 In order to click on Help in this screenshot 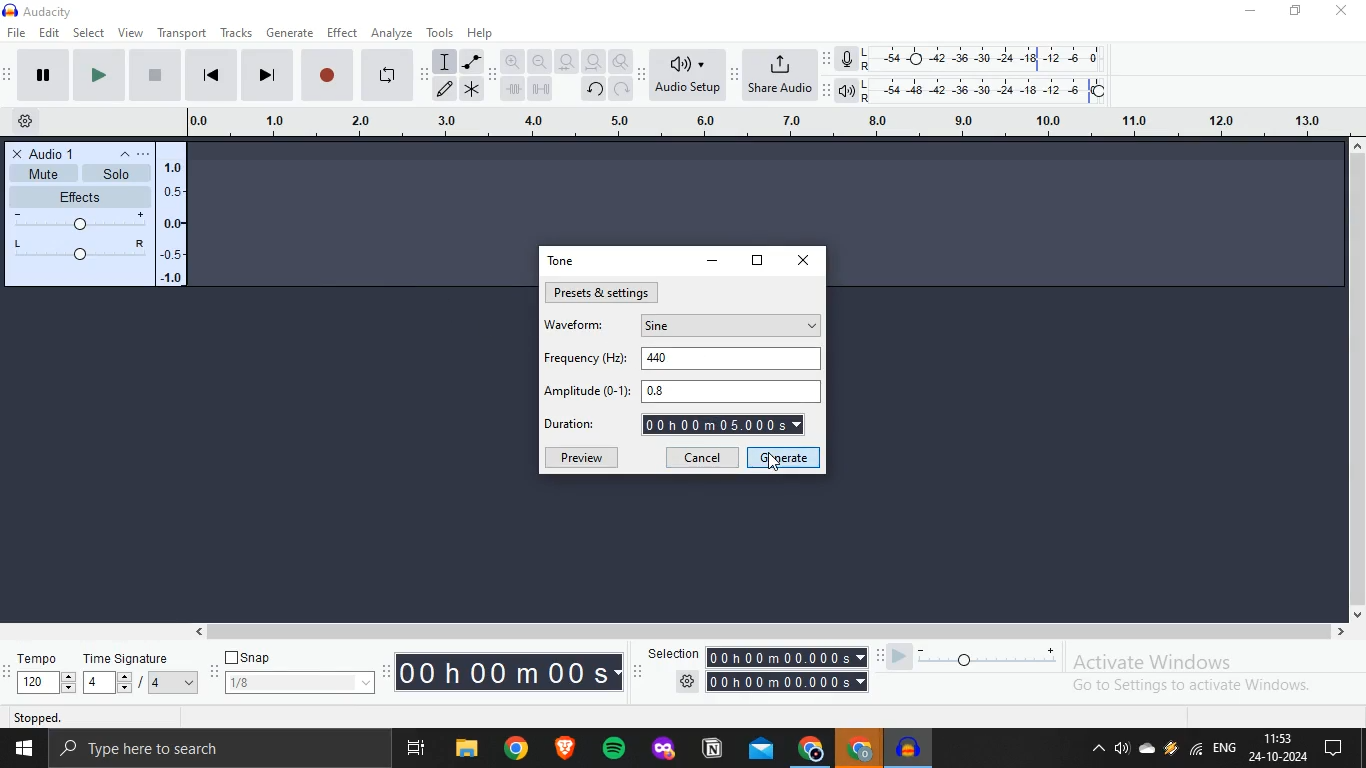, I will do `click(485, 32)`.